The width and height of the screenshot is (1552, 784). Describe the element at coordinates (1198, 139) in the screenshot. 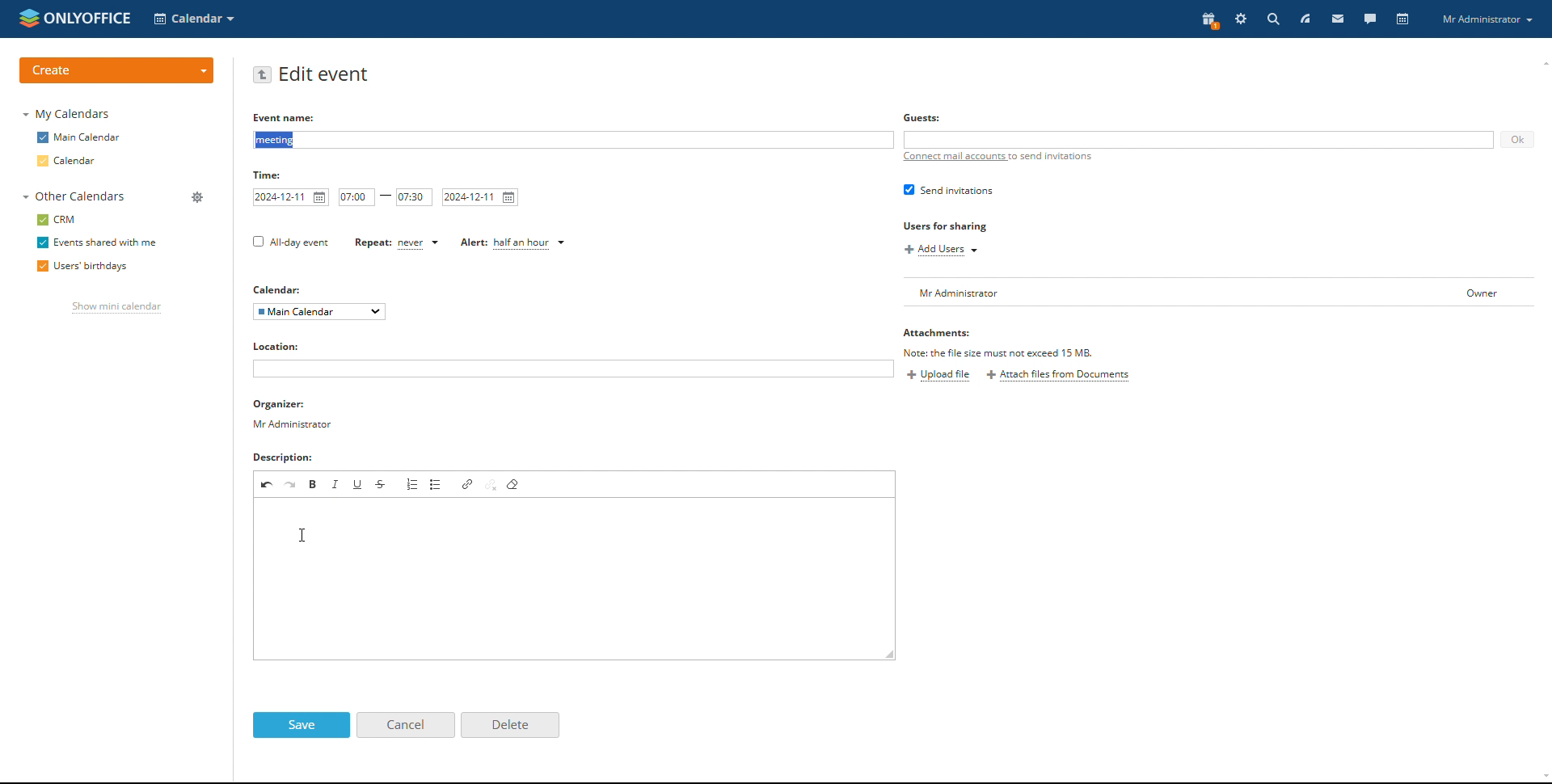

I see `add guests` at that location.